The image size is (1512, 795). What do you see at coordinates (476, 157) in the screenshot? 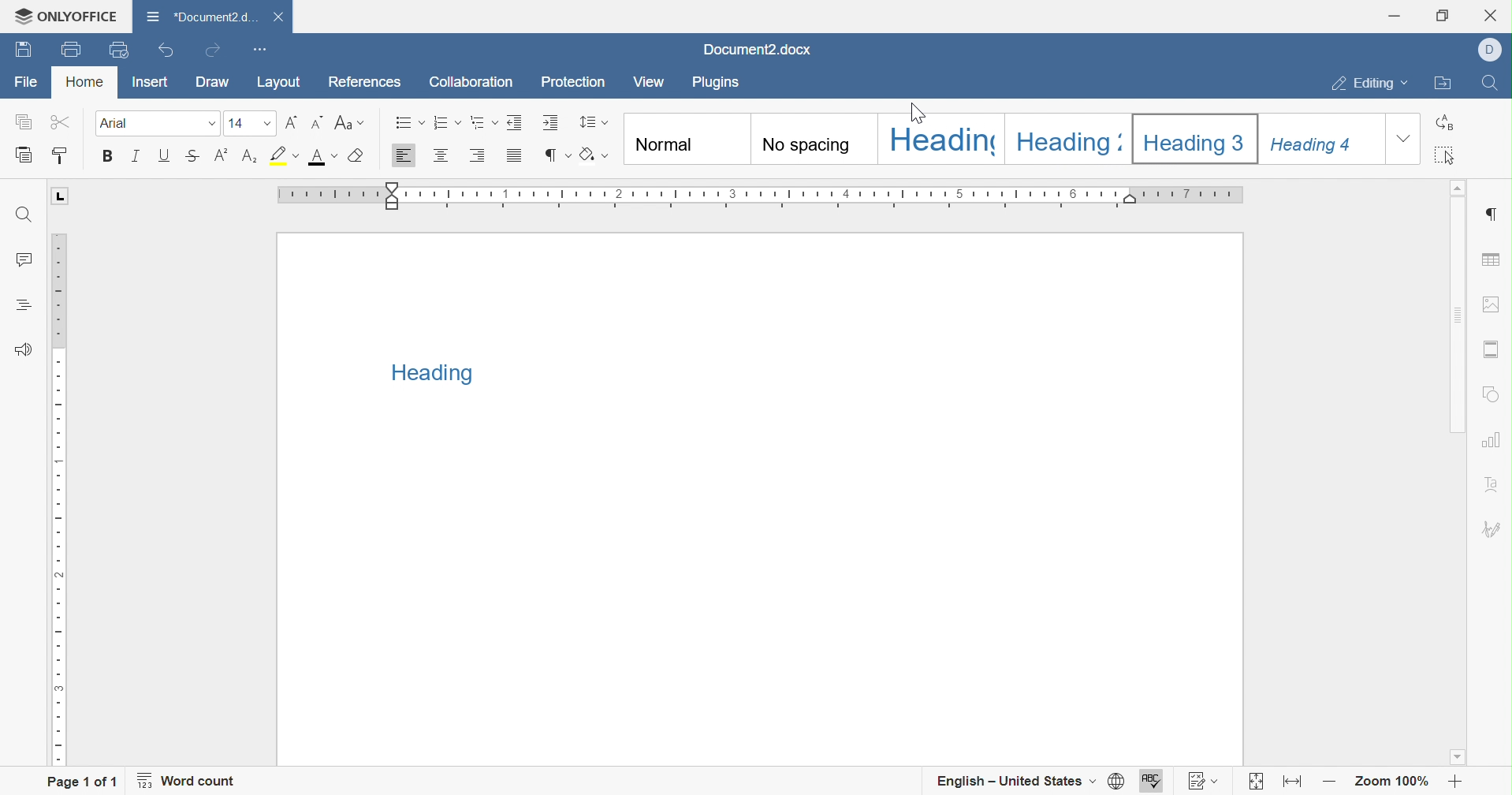
I see `Align Right` at bounding box center [476, 157].